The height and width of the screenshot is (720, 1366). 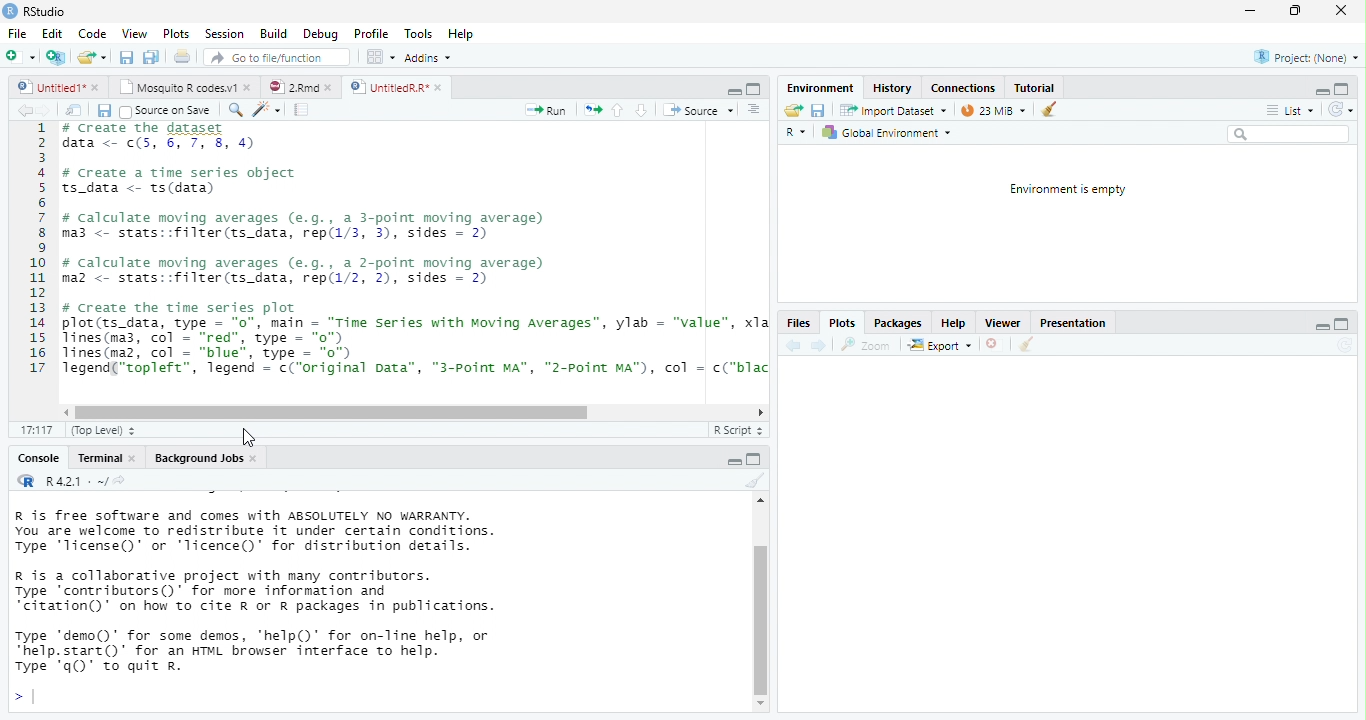 I want to click on Mosquito R codes.v1, so click(x=180, y=86).